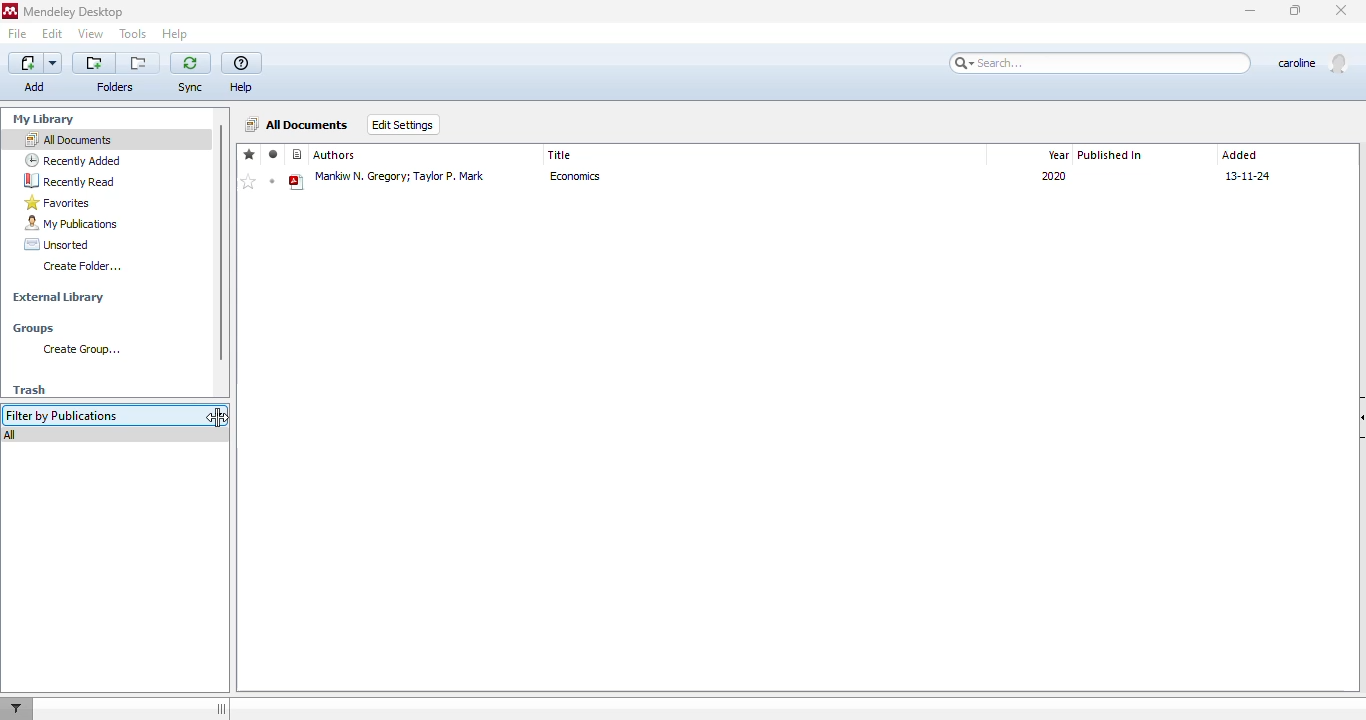 Image resolution: width=1366 pixels, height=720 pixels. What do you see at coordinates (190, 63) in the screenshot?
I see `sync` at bounding box center [190, 63].